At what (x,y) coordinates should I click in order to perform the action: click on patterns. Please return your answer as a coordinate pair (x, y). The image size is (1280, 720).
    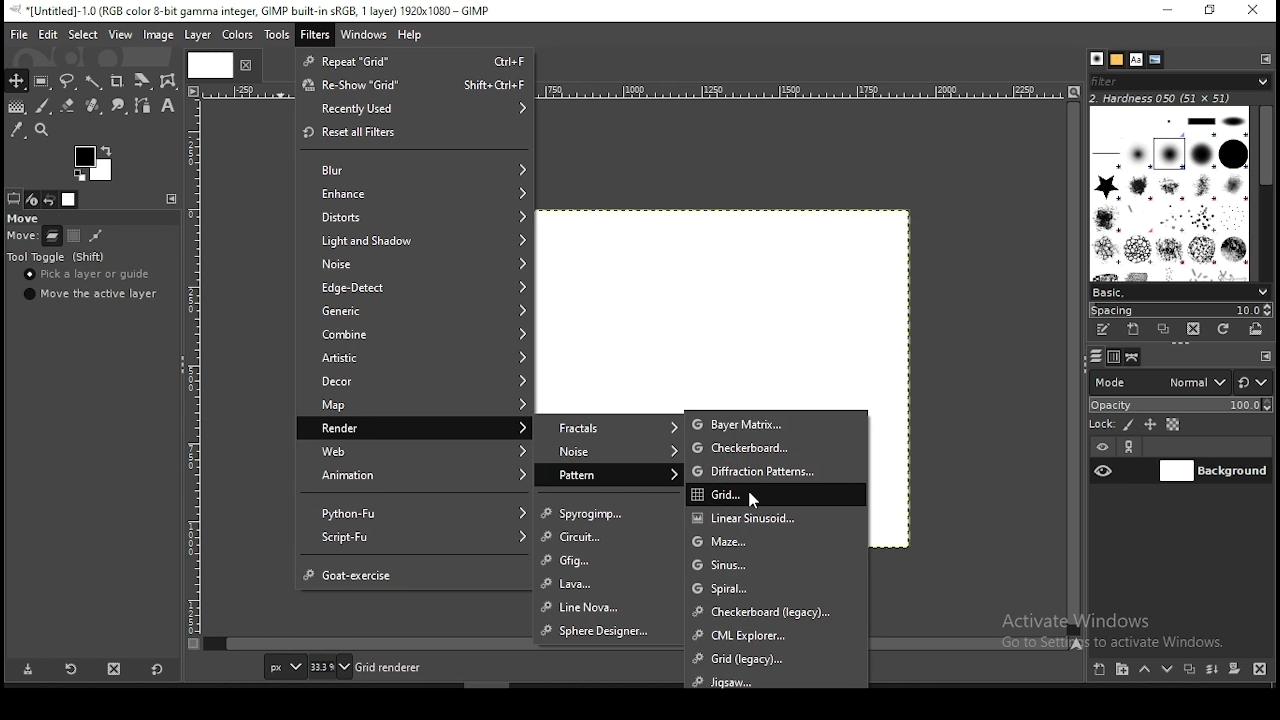
    Looking at the image, I should click on (1117, 60).